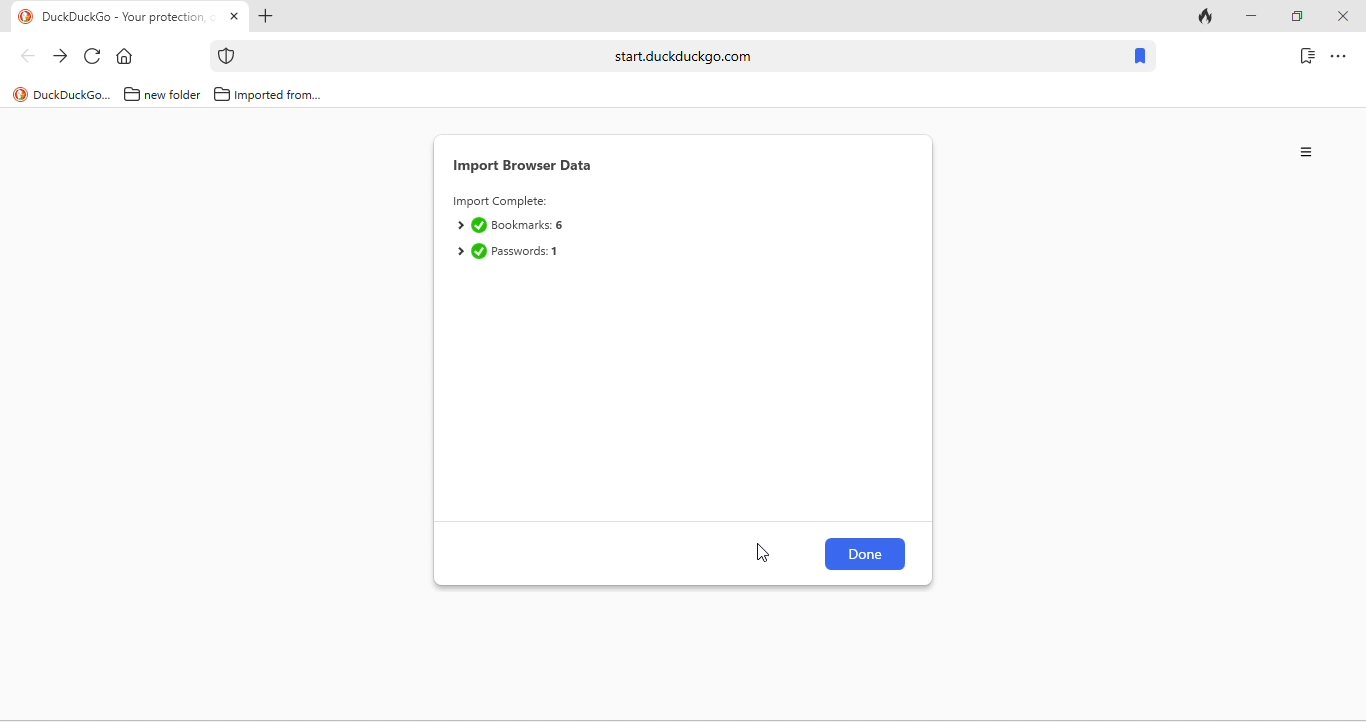 The width and height of the screenshot is (1366, 722). What do you see at coordinates (73, 94) in the screenshot?
I see `DuckDuckGo...` at bounding box center [73, 94].